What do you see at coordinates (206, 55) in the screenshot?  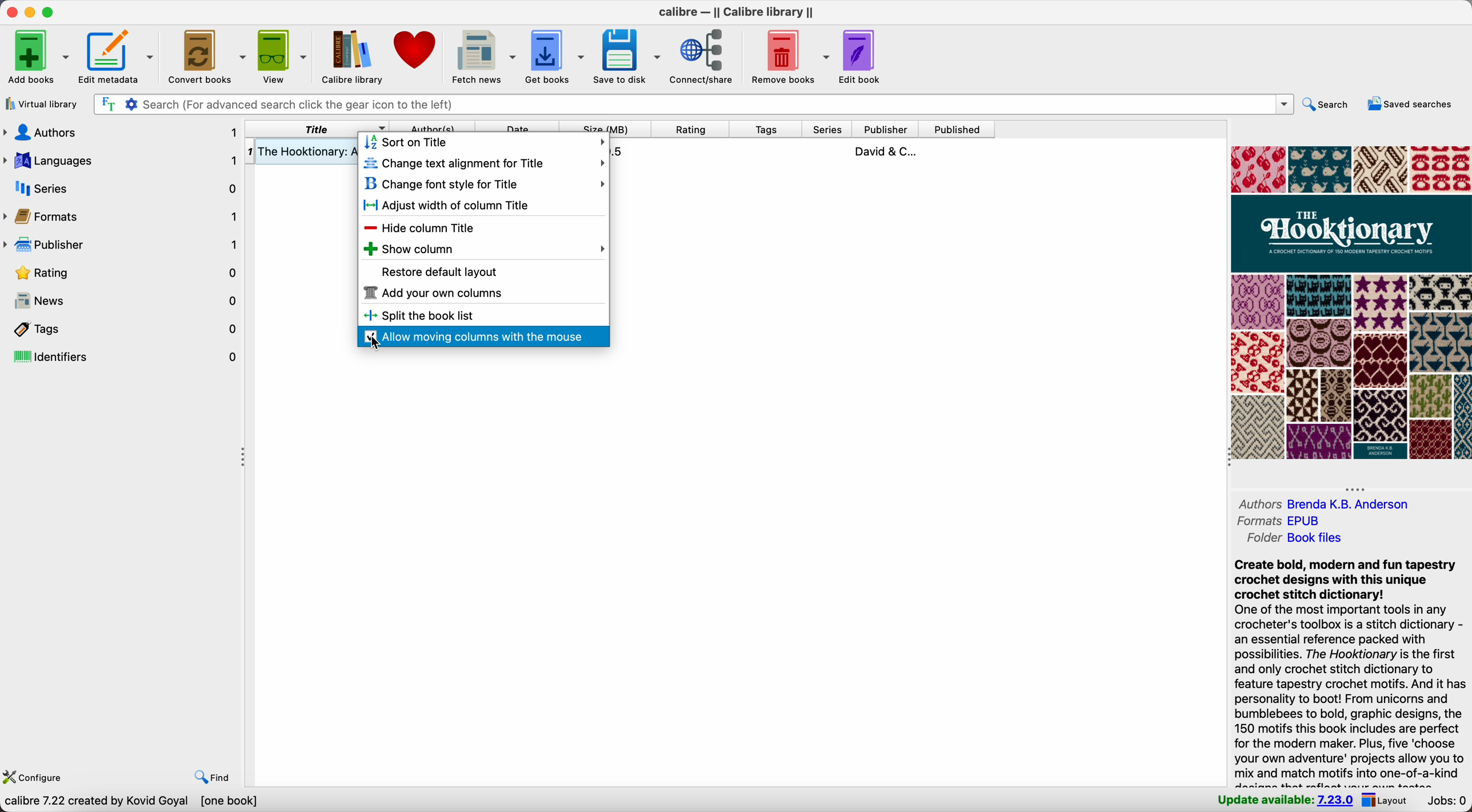 I see `convert books` at bounding box center [206, 55].